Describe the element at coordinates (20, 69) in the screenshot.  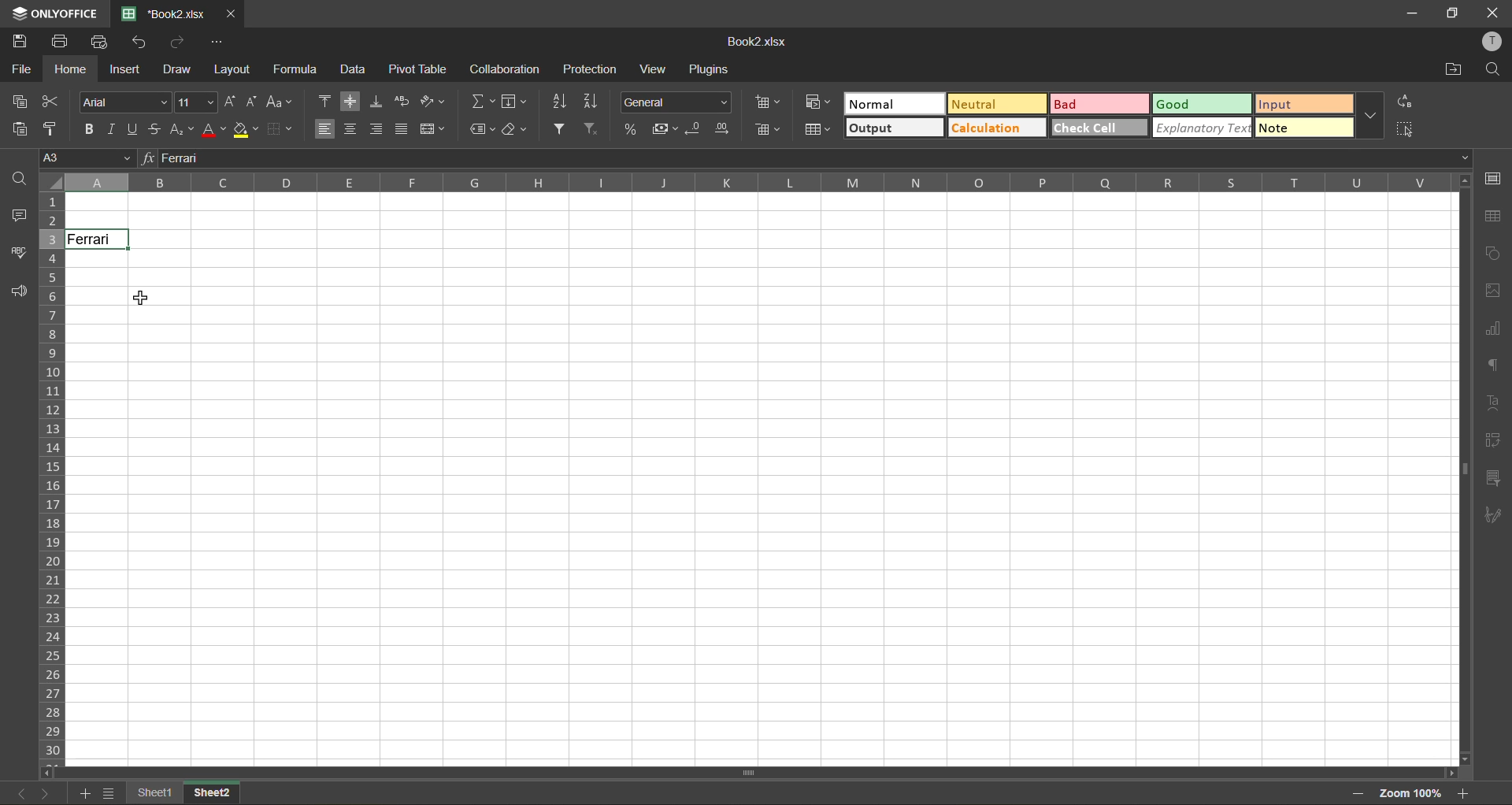
I see `file` at that location.